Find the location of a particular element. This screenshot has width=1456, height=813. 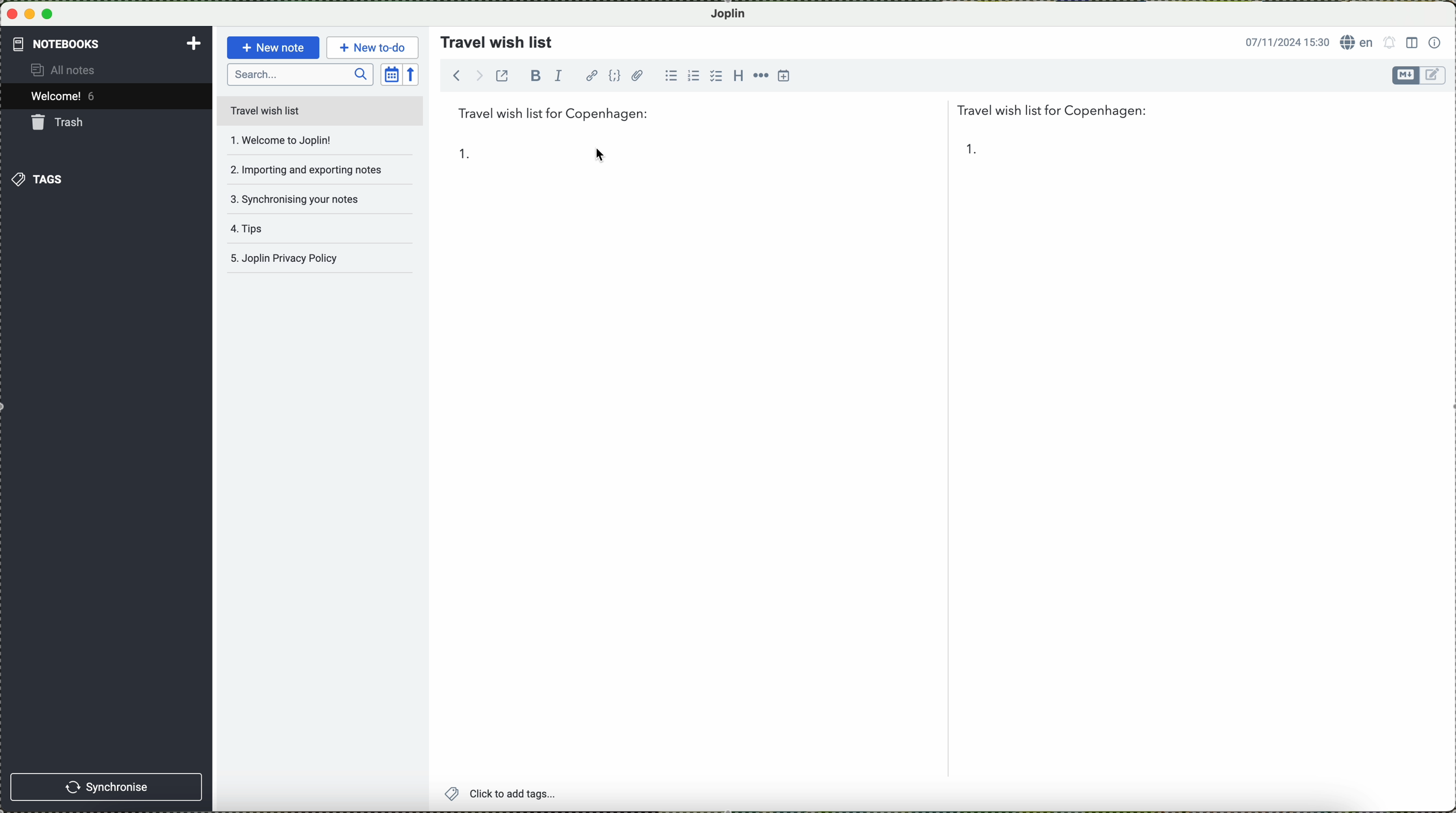

trash is located at coordinates (60, 122).